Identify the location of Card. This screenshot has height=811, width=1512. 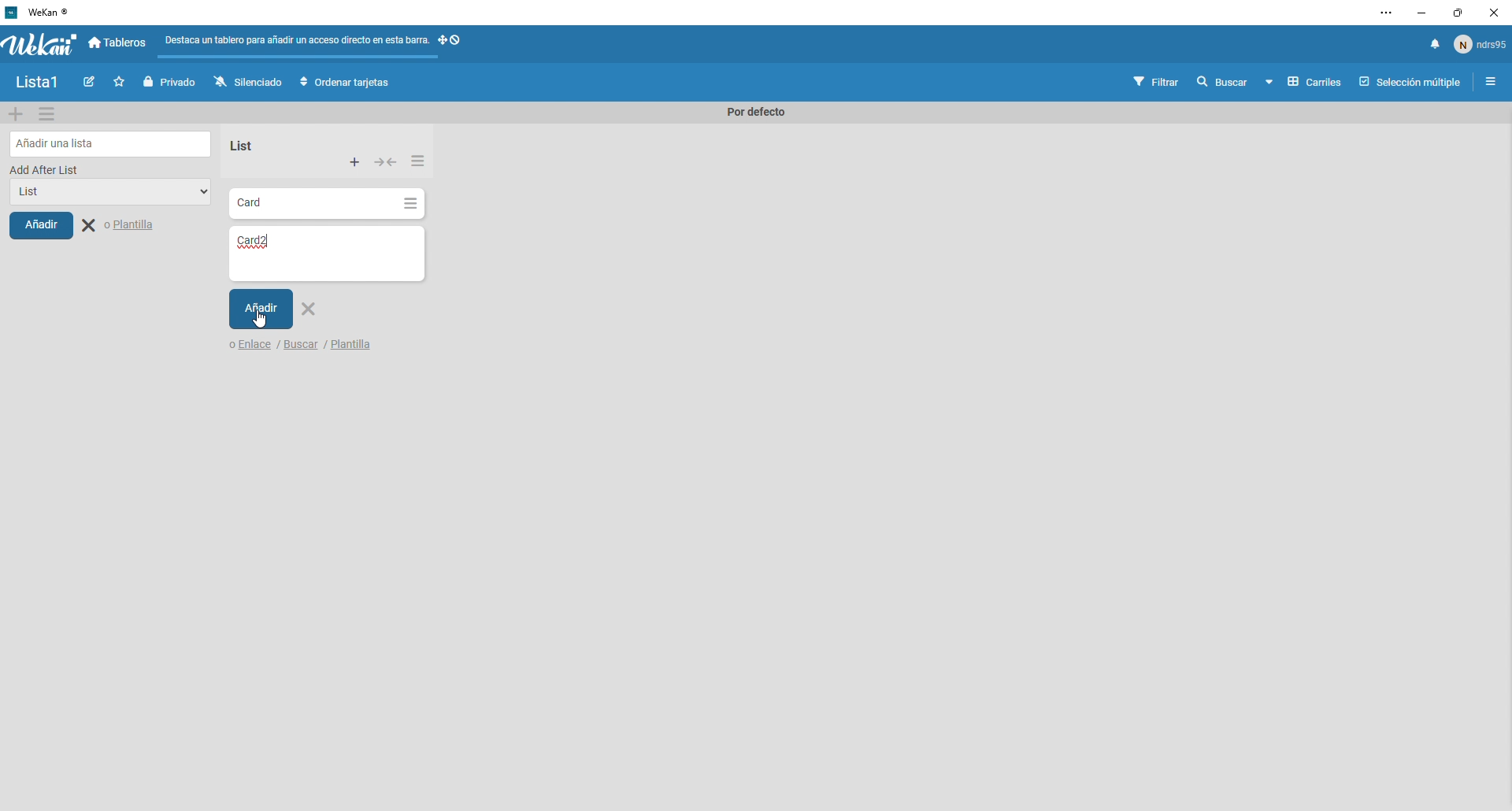
(312, 204).